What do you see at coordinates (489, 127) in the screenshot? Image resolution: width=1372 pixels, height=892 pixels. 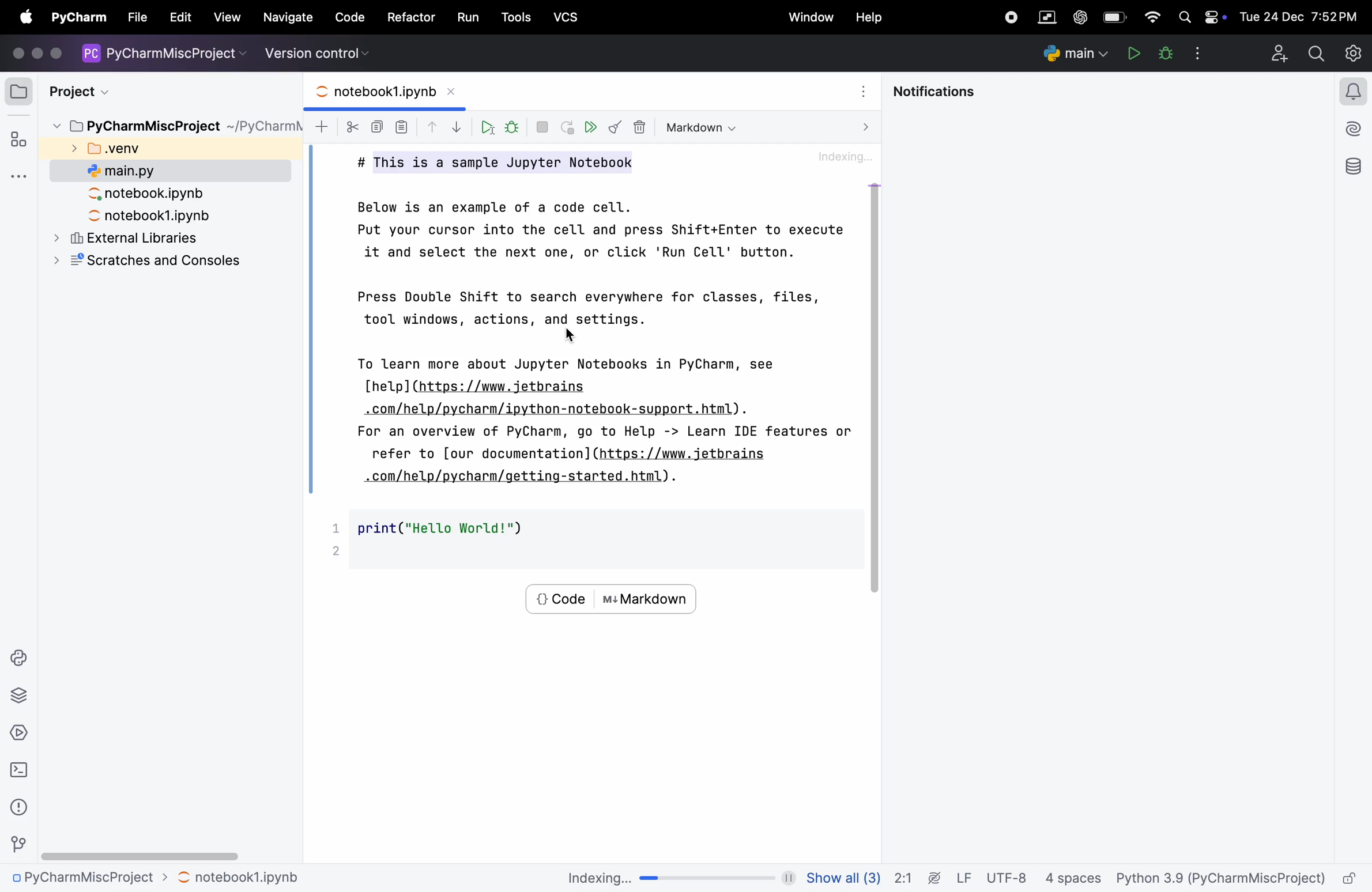 I see `run` at bounding box center [489, 127].